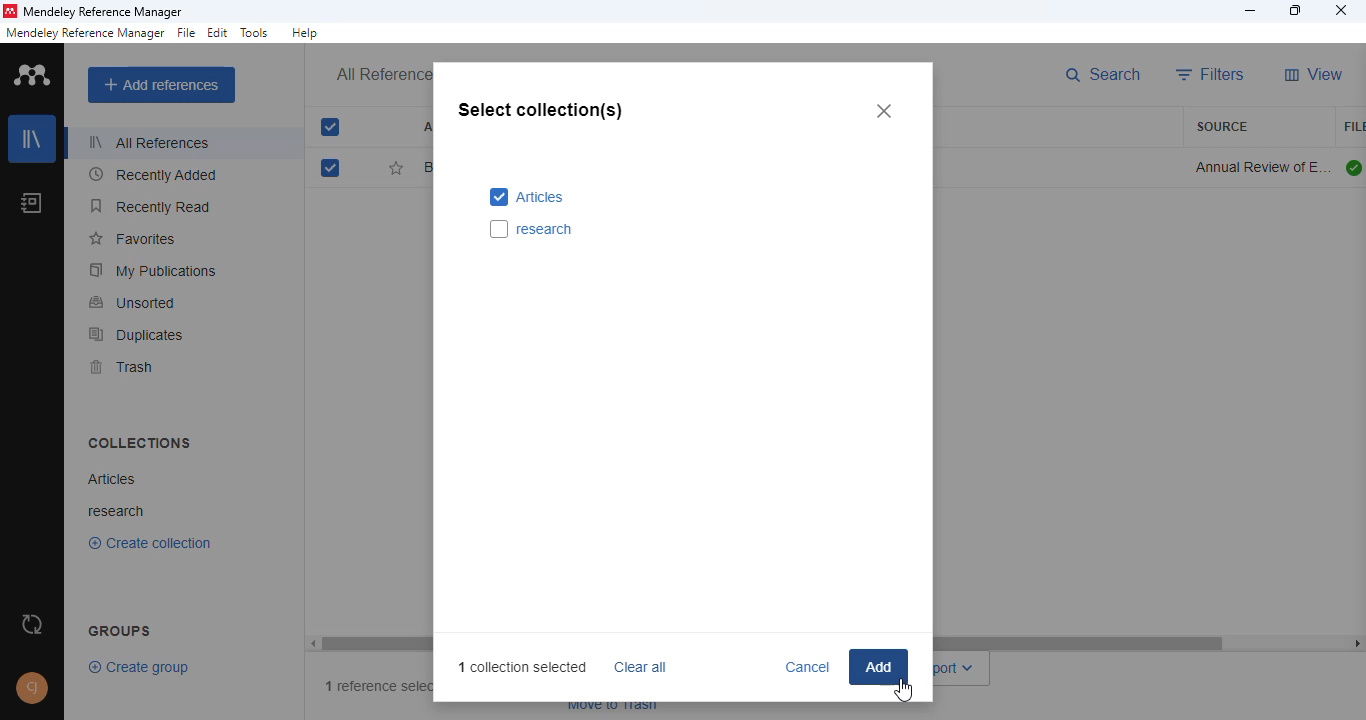 This screenshot has height=720, width=1366. What do you see at coordinates (31, 203) in the screenshot?
I see `notebook` at bounding box center [31, 203].